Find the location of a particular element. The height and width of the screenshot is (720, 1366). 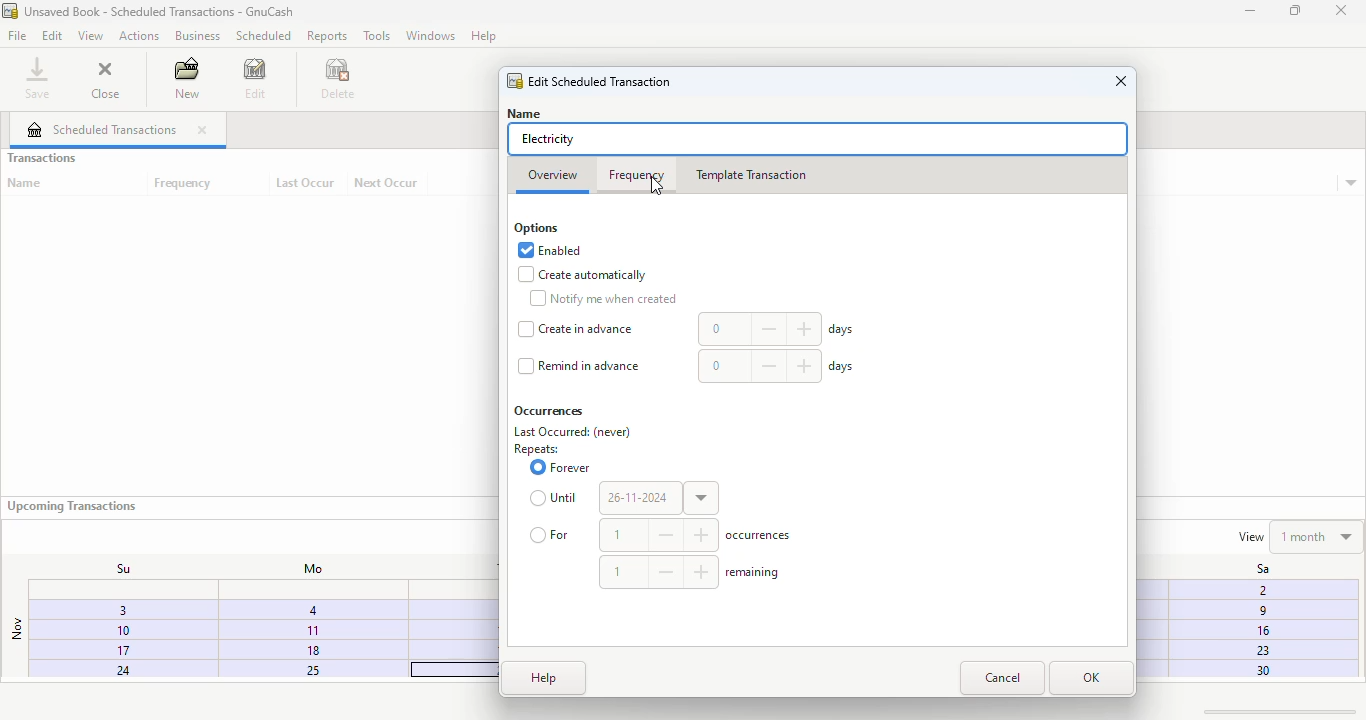

options is located at coordinates (536, 229).